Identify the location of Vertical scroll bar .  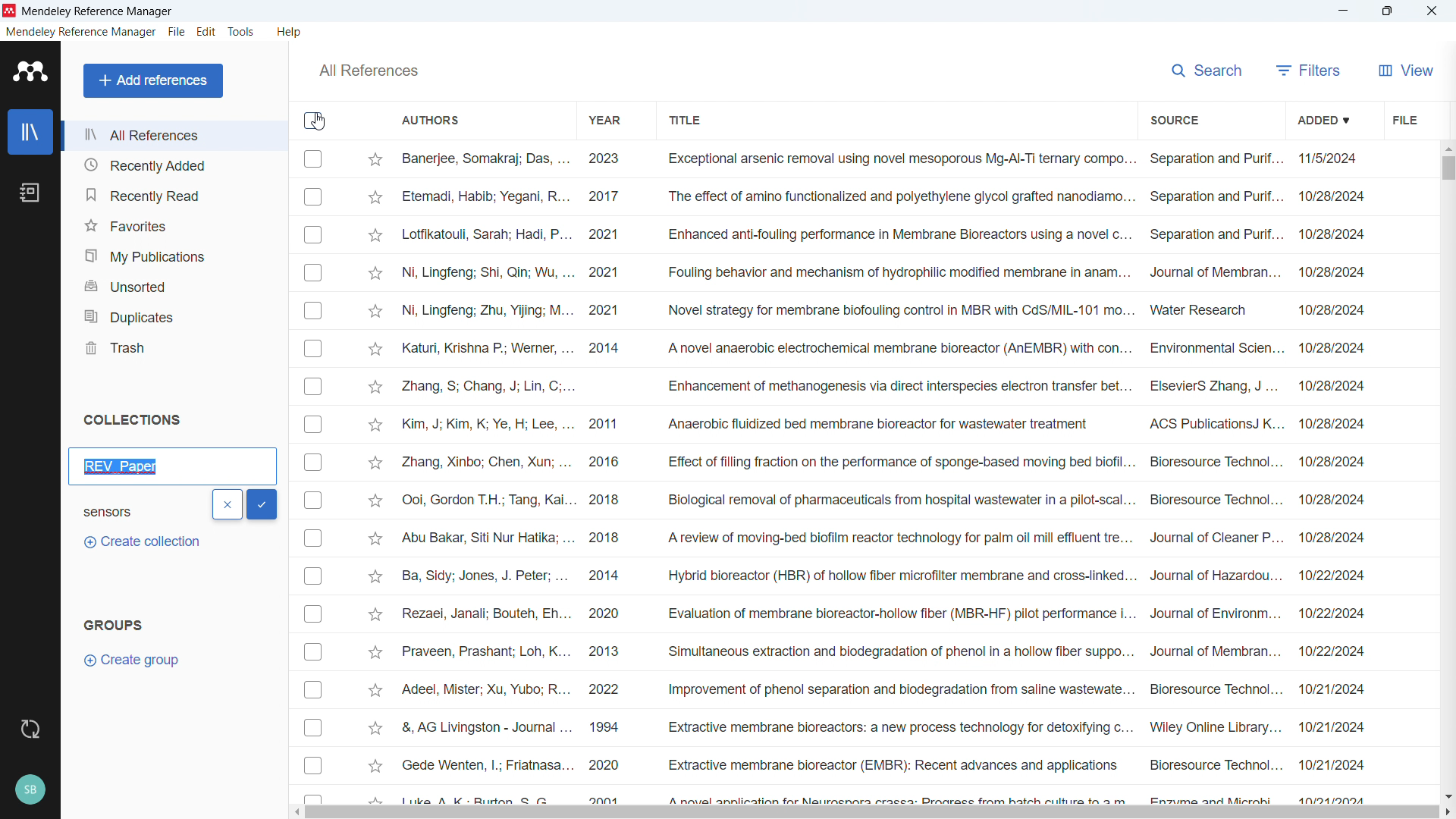
(1445, 167).